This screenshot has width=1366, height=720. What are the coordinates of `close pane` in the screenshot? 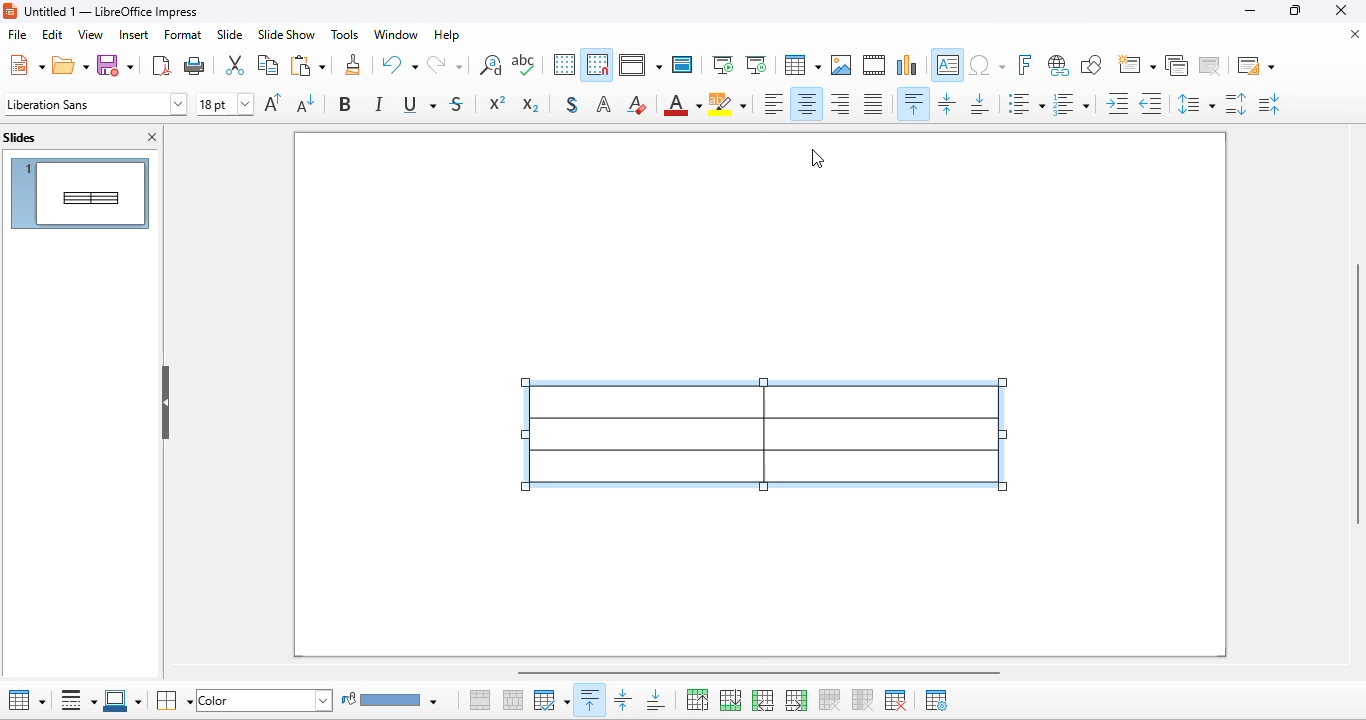 It's located at (154, 137).